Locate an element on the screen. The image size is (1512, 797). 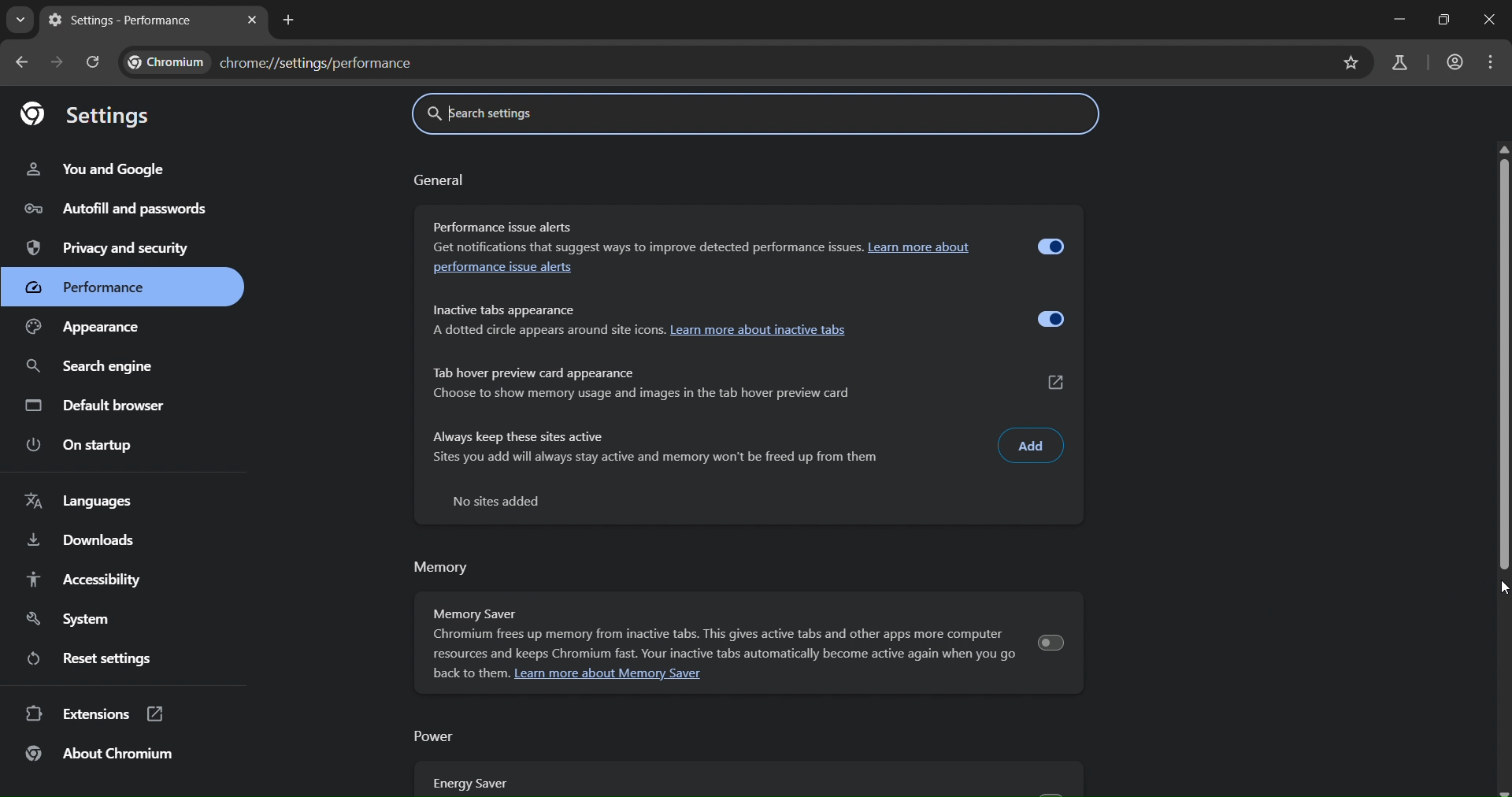
languages is located at coordinates (80, 500).